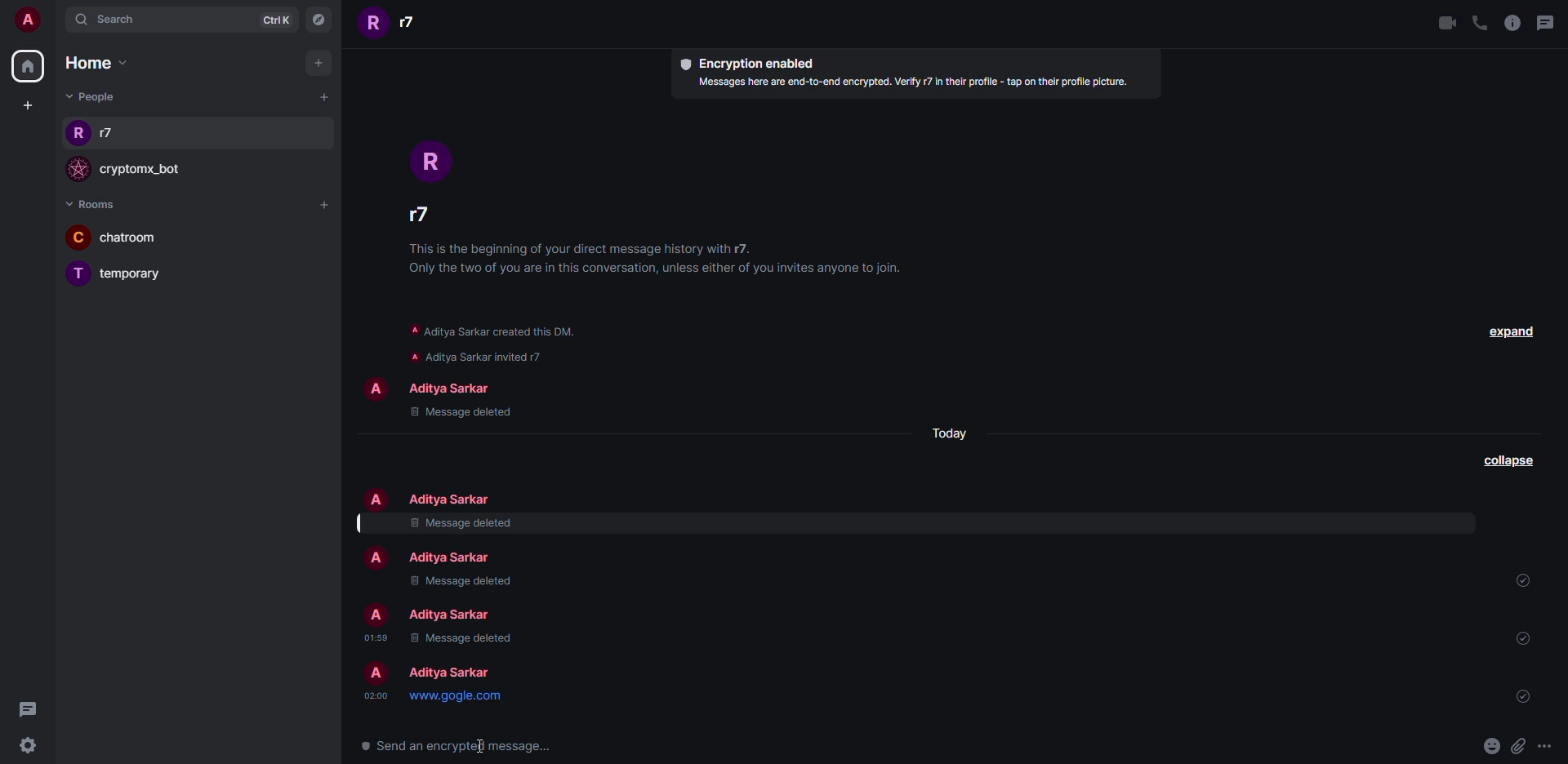 This screenshot has height=764, width=1568. What do you see at coordinates (1512, 23) in the screenshot?
I see `info` at bounding box center [1512, 23].